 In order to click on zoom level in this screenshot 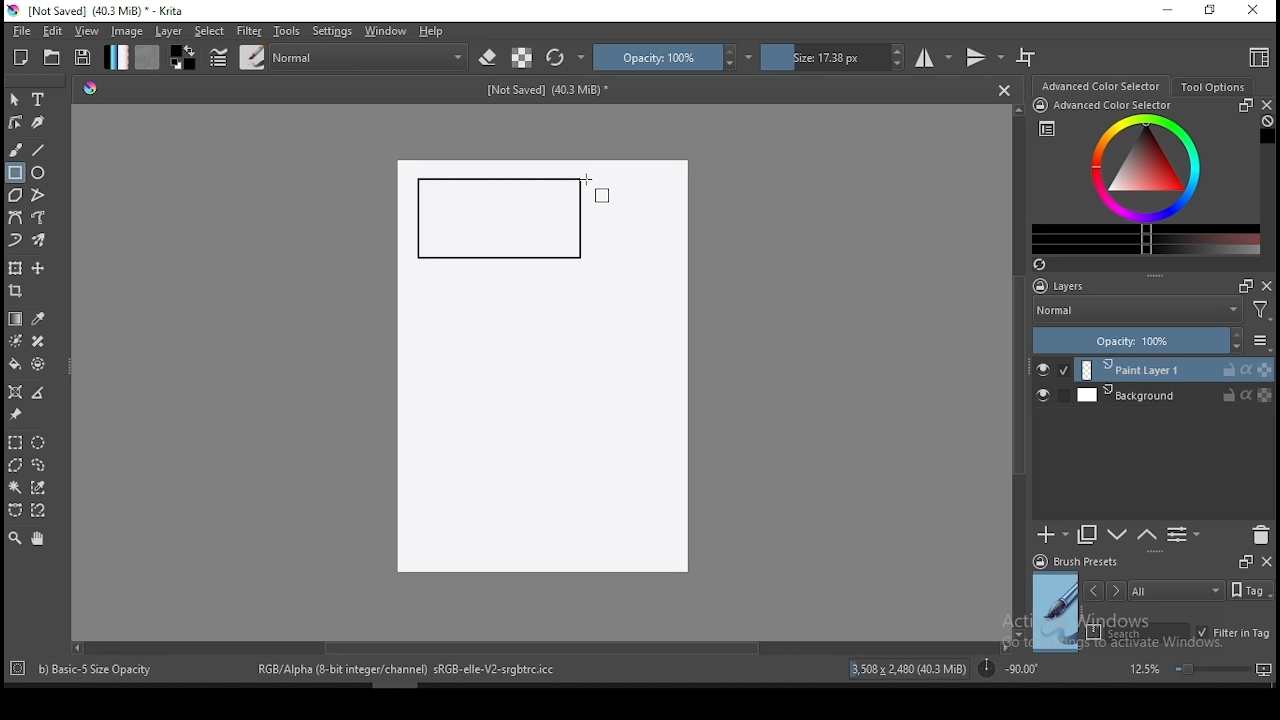, I will do `click(1200, 668)`.